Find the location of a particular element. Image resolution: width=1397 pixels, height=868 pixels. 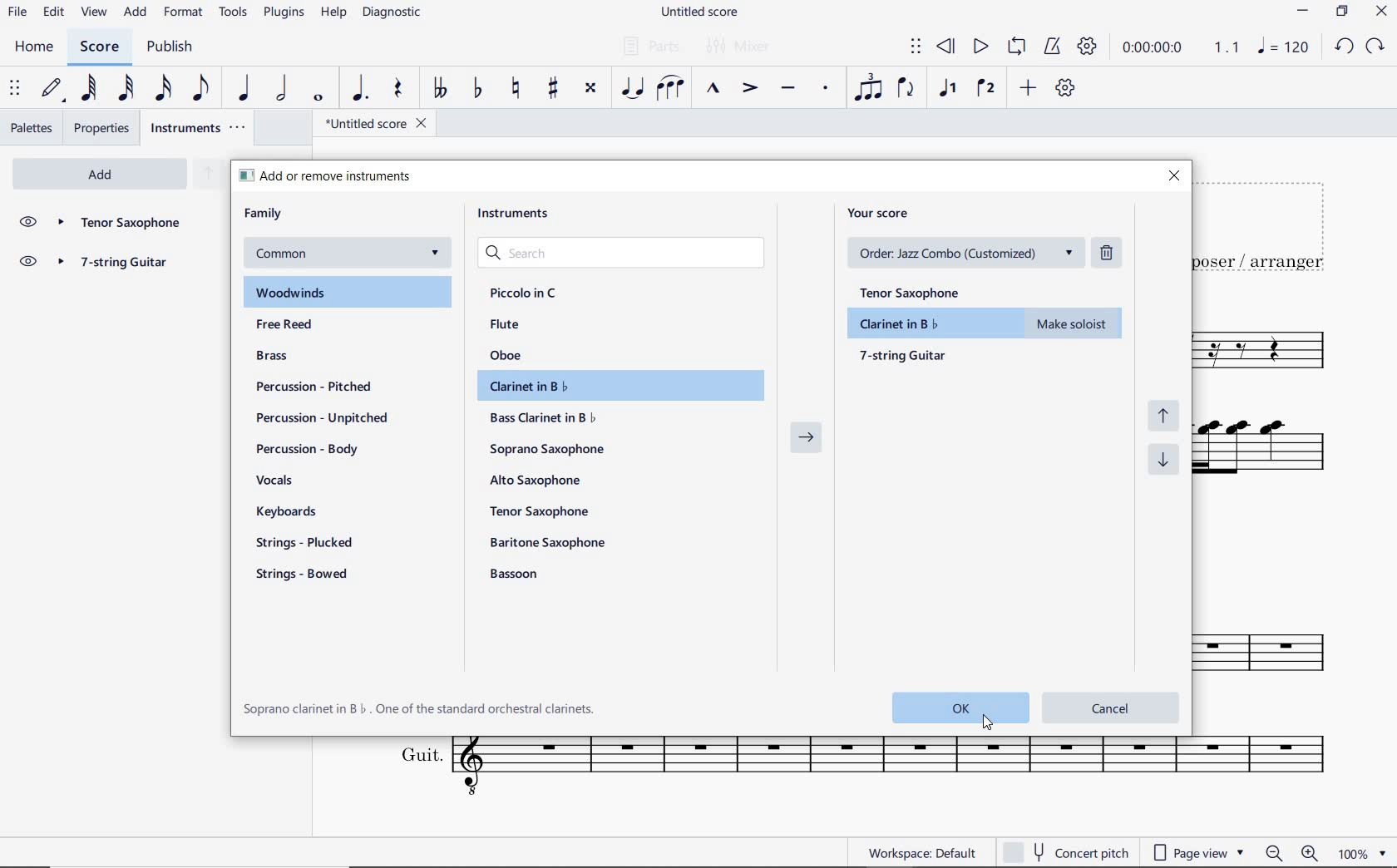

up is located at coordinates (207, 175).